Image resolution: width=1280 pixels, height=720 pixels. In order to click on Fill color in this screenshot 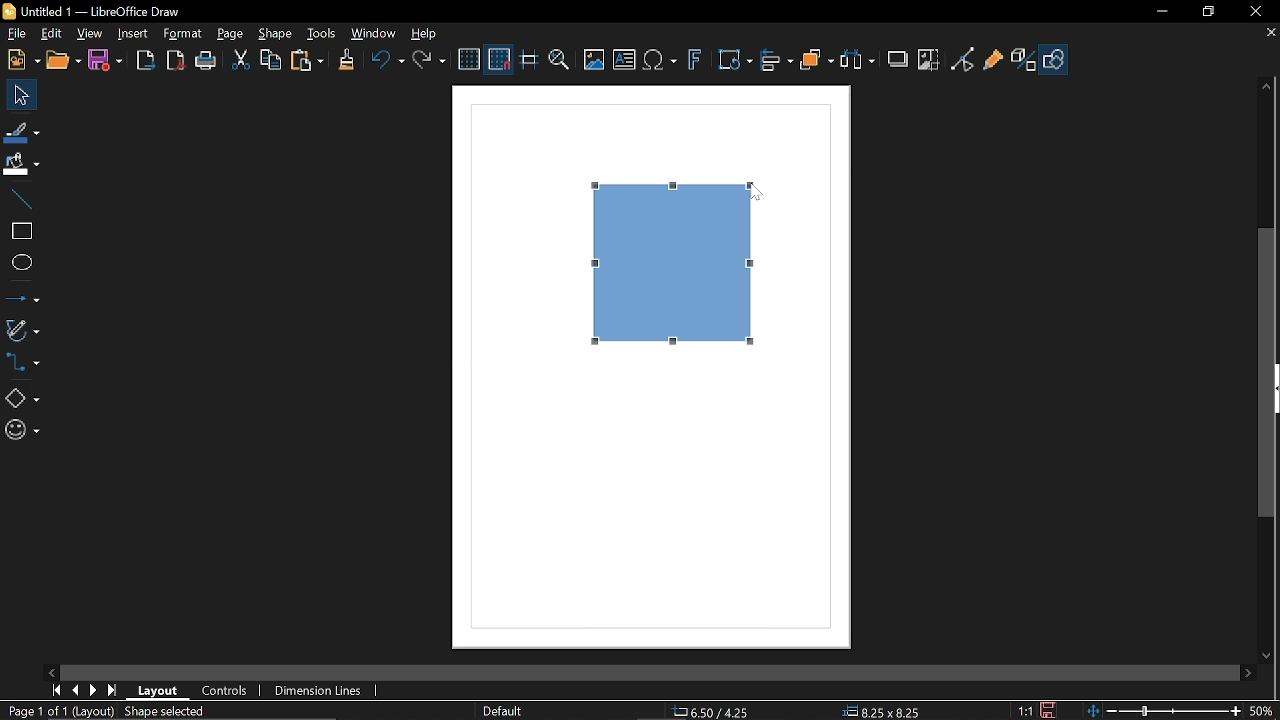, I will do `click(22, 164)`.